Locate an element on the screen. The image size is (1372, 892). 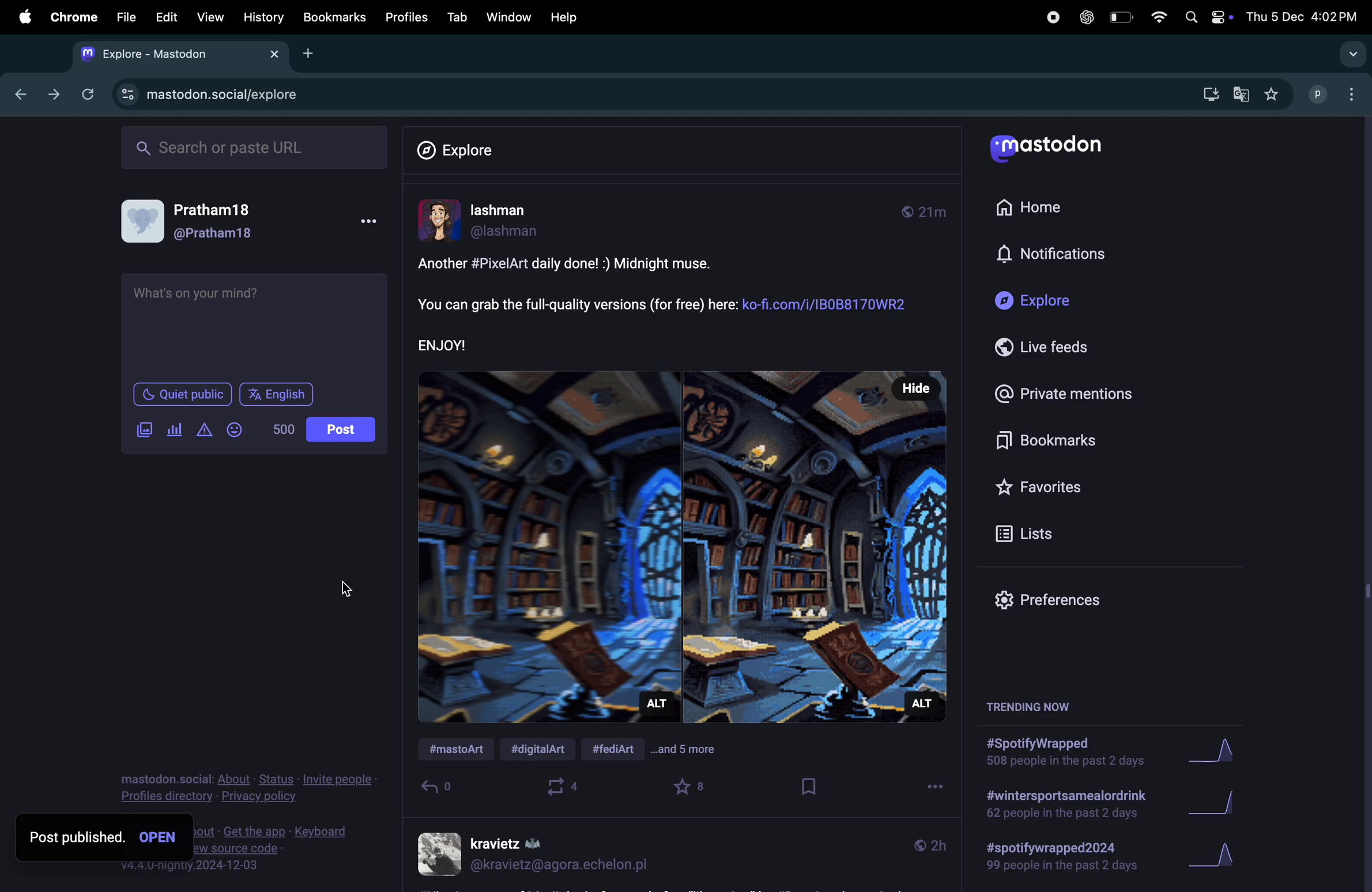
wifi is located at coordinates (1155, 16).